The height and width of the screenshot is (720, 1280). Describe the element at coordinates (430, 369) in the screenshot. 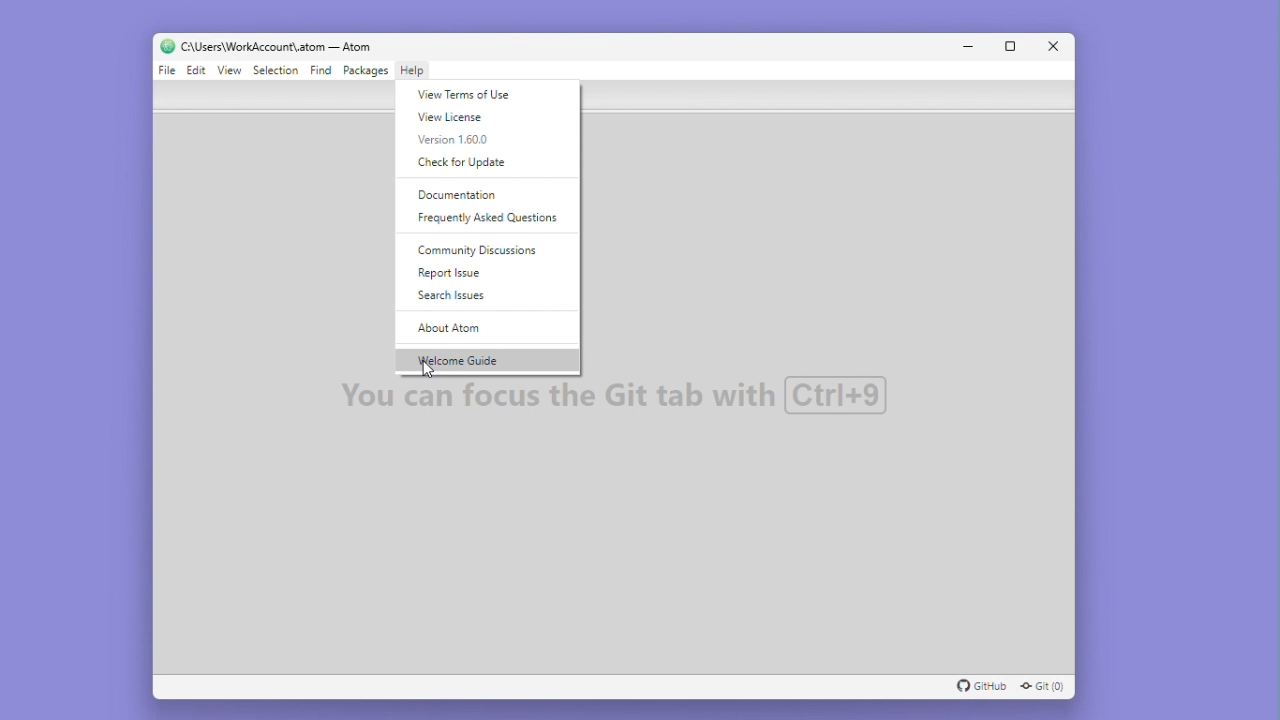

I see `cursor` at that location.